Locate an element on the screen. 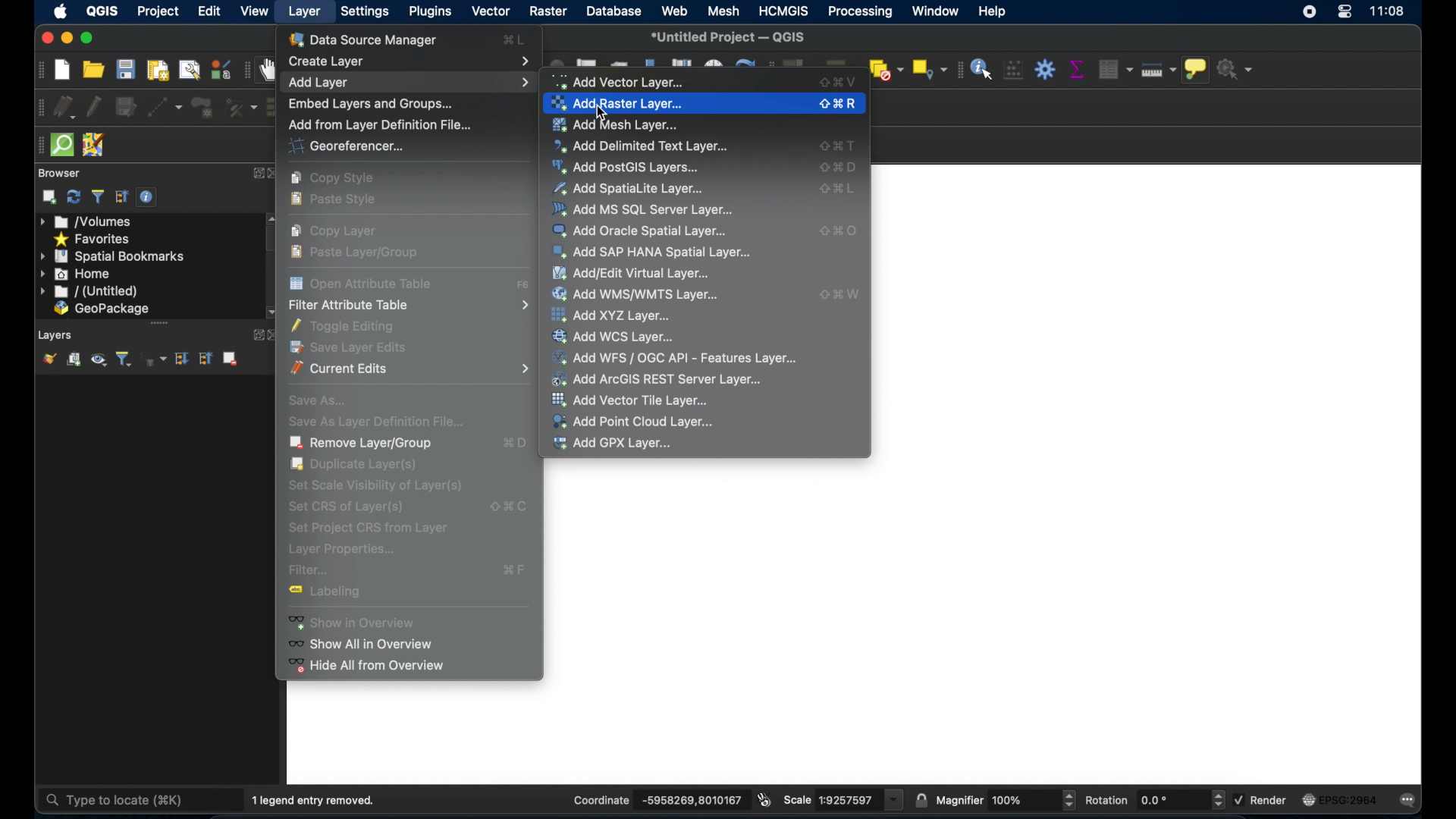 The width and height of the screenshot is (1456, 819). filter attribute table is located at coordinates (408, 306).